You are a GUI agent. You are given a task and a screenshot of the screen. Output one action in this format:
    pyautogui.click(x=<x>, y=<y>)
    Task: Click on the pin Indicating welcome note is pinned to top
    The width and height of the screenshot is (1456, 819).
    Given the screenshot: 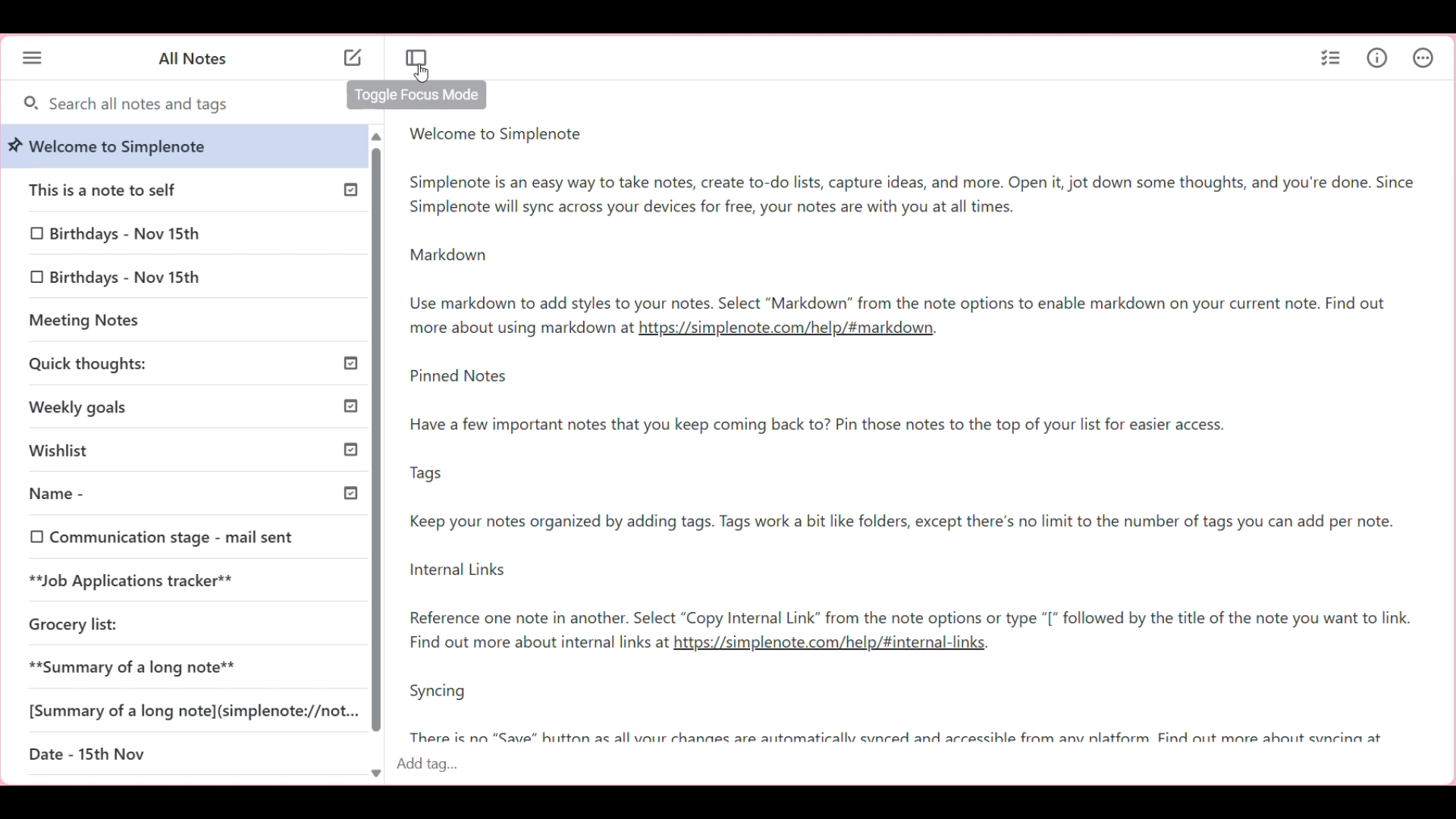 What is the action you would take?
    pyautogui.click(x=15, y=144)
    